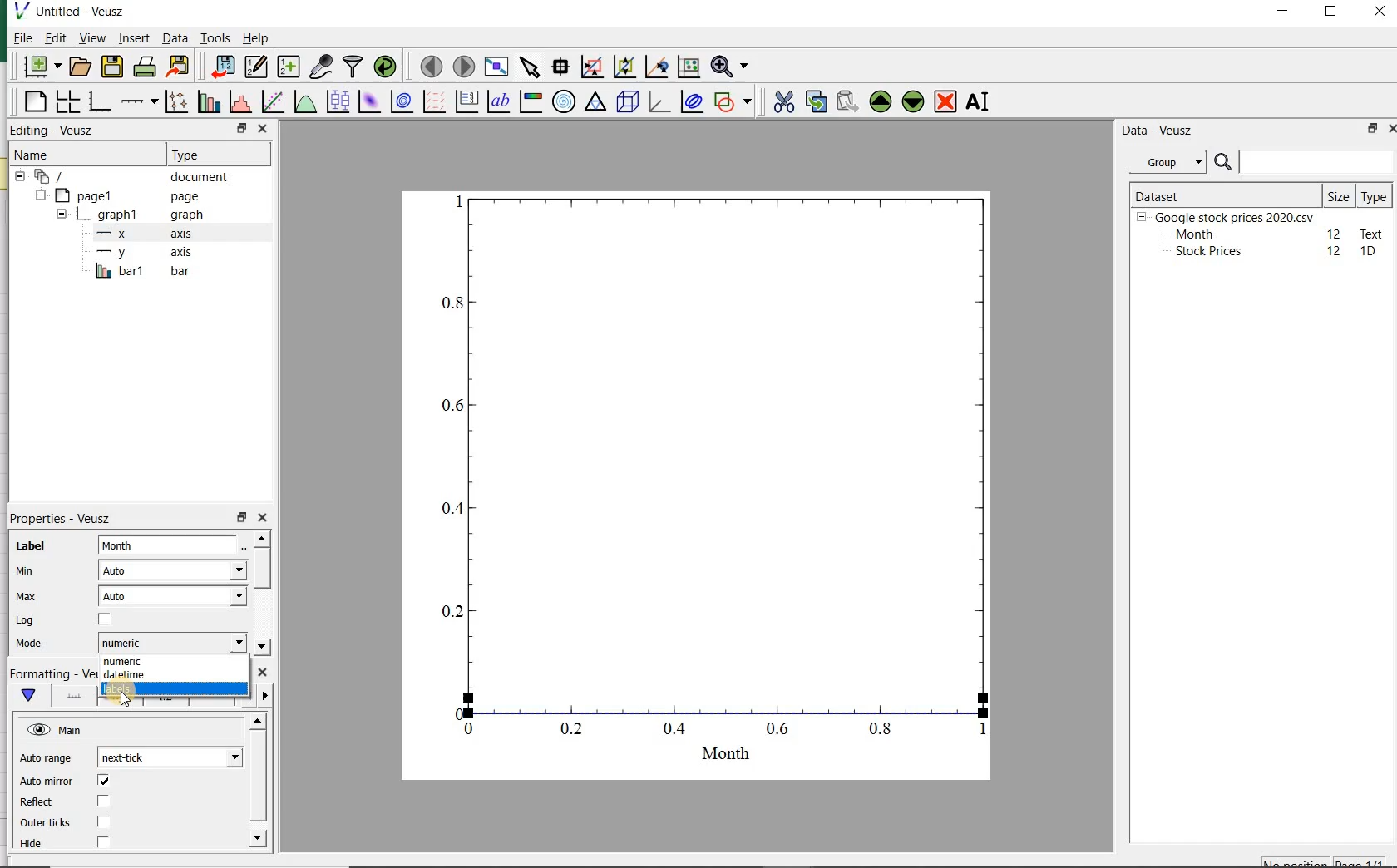  I want to click on filter data, so click(353, 66).